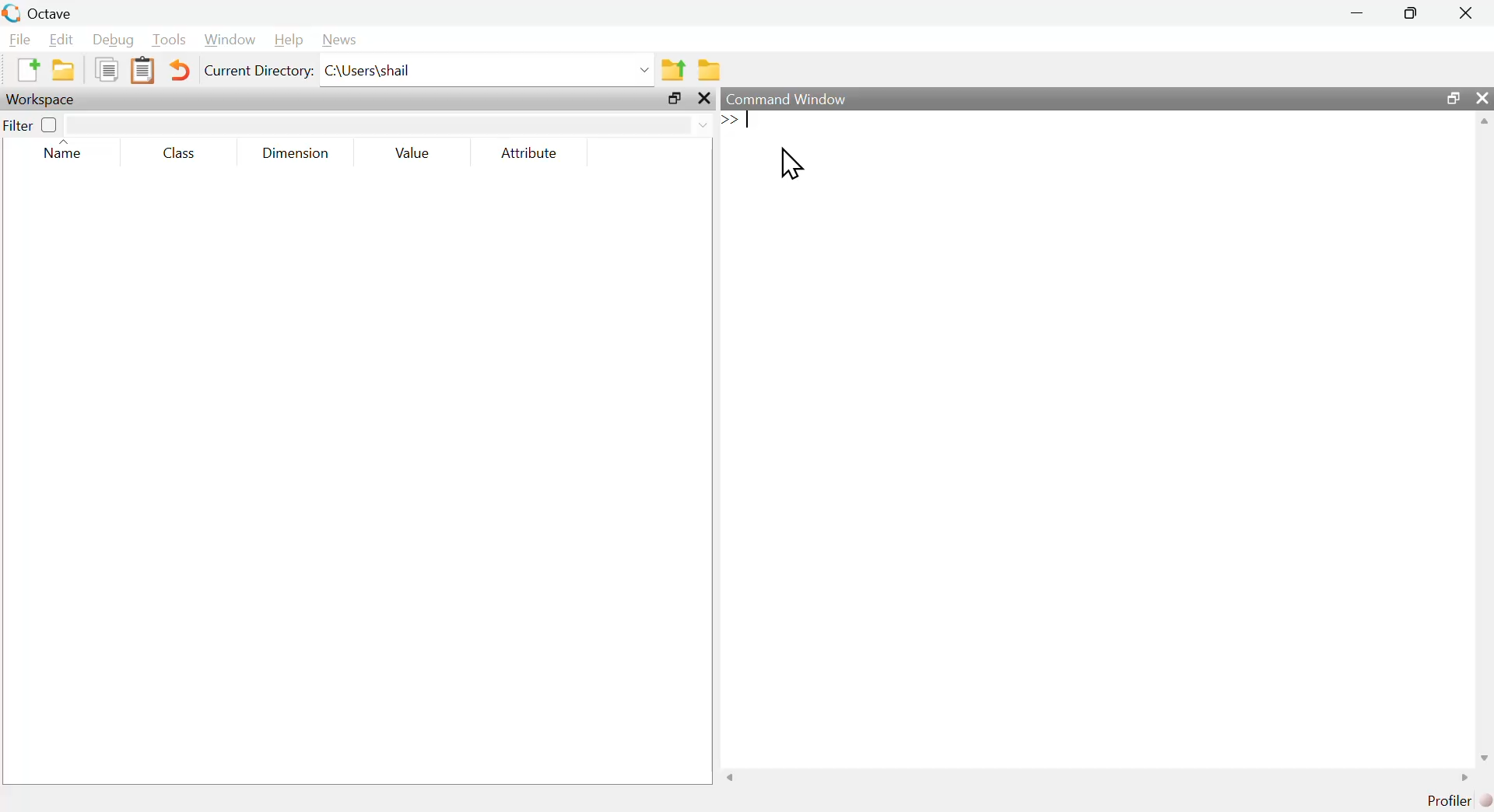 Image resolution: width=1494 pixels, height=812 pixels. I want to click on  Debug, so click(110, 40).